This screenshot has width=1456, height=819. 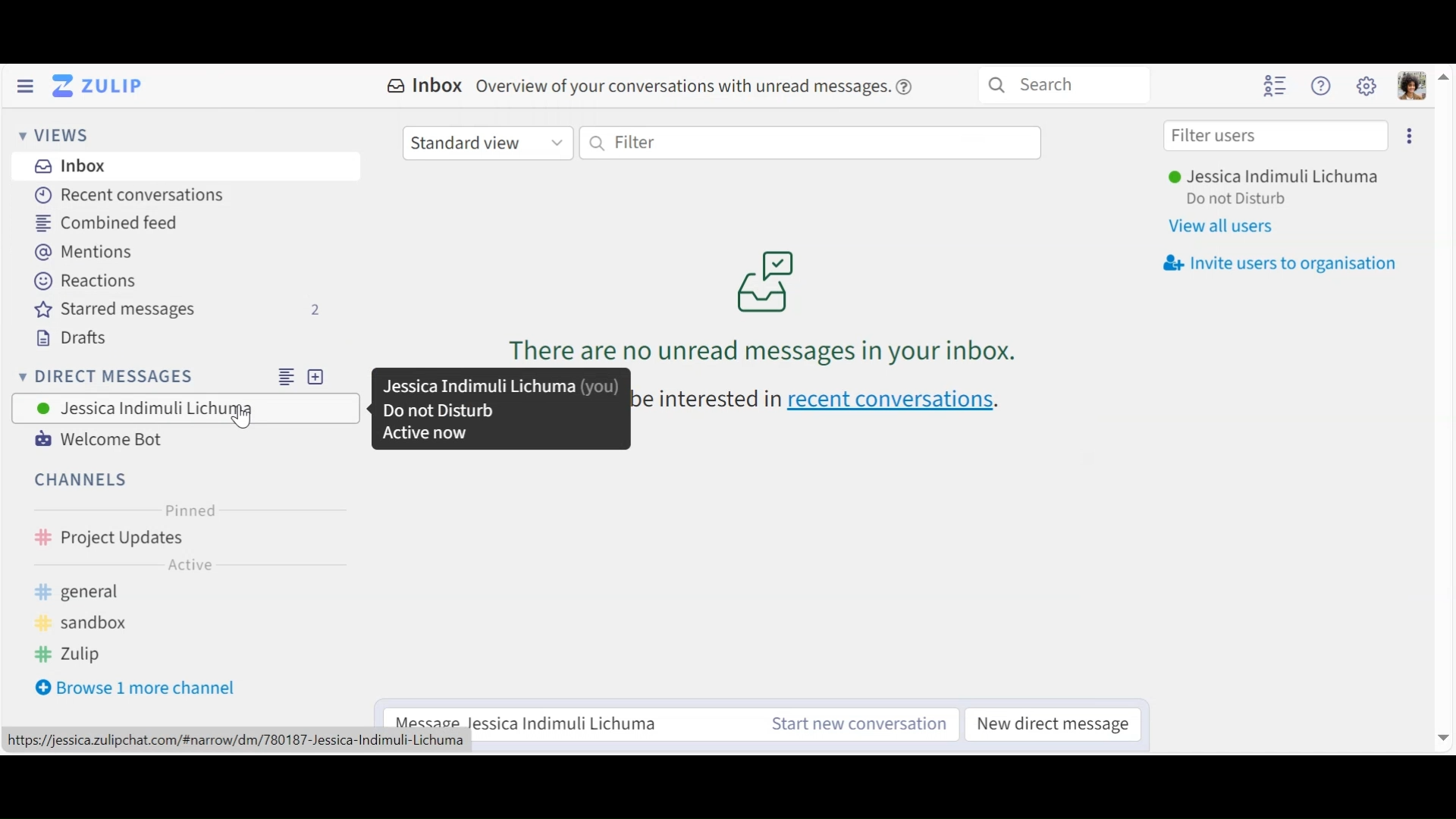 What do you see at coordinates (1072, 86) in the screenshot?
I see `Search` at bounding box center [1072, 86].